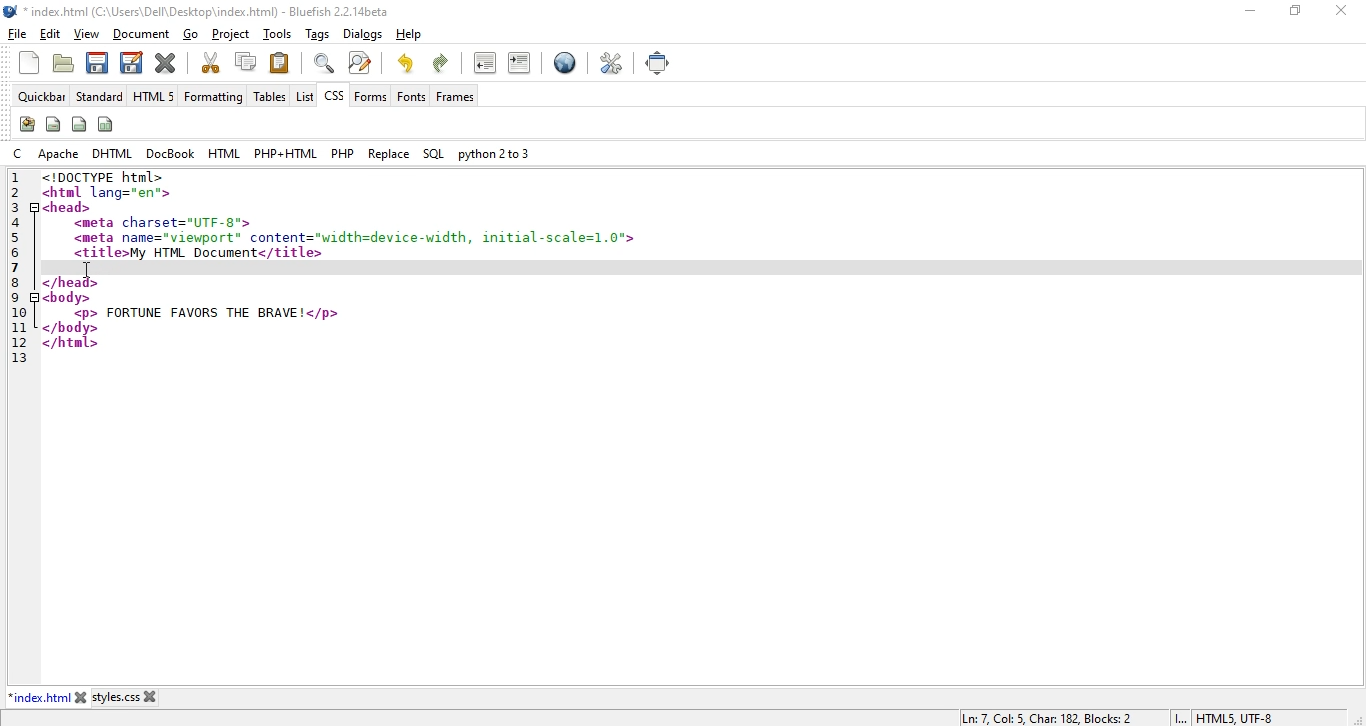 This screenshot has height=726, width=1366. Describe the element at coordinates (154, 97) in the screenshot. I see `html 5` at that location.